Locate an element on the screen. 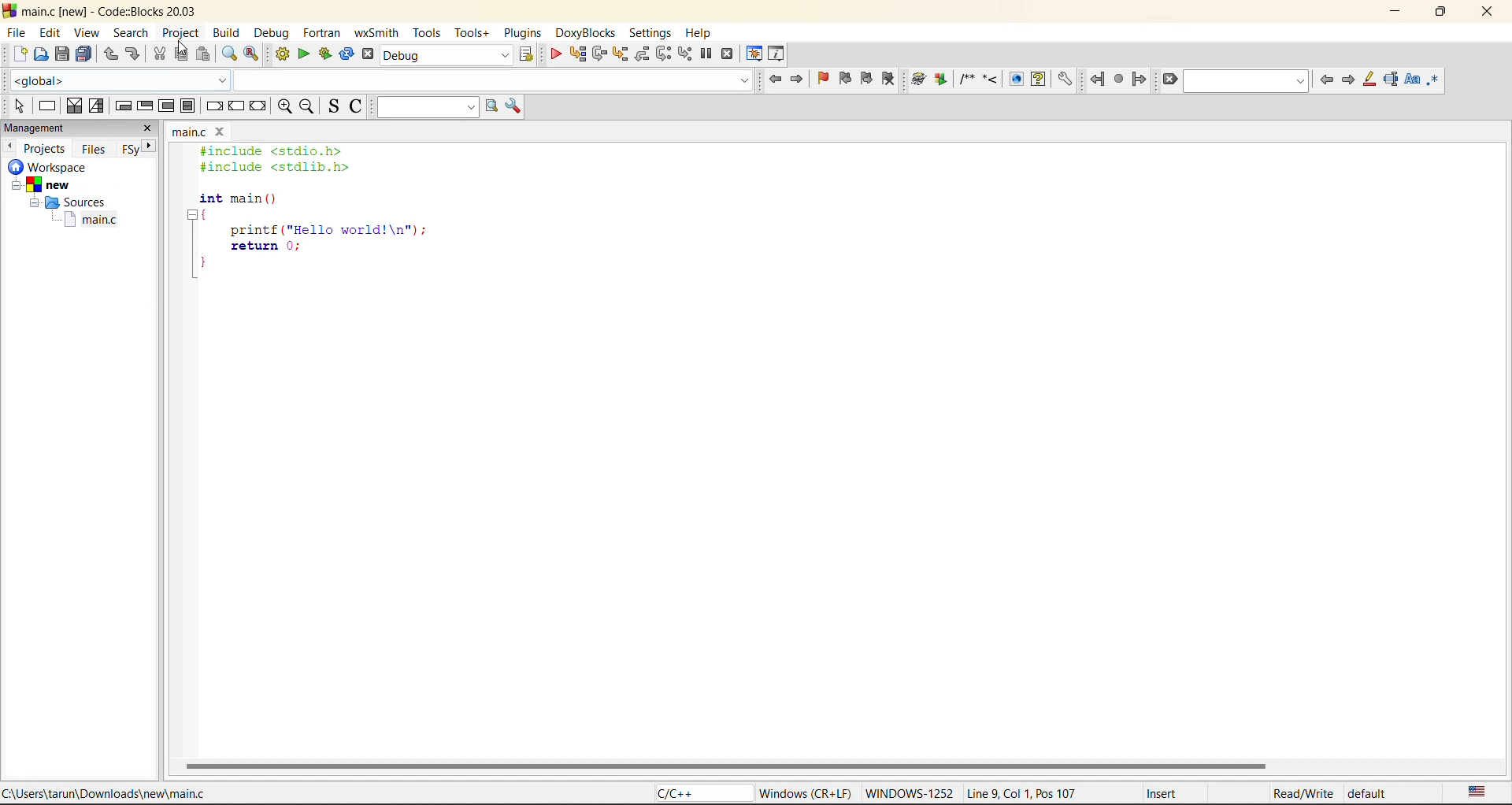 The width and height of the screenshot is (1512, 805). main.c is located at coordinates (187, 132).